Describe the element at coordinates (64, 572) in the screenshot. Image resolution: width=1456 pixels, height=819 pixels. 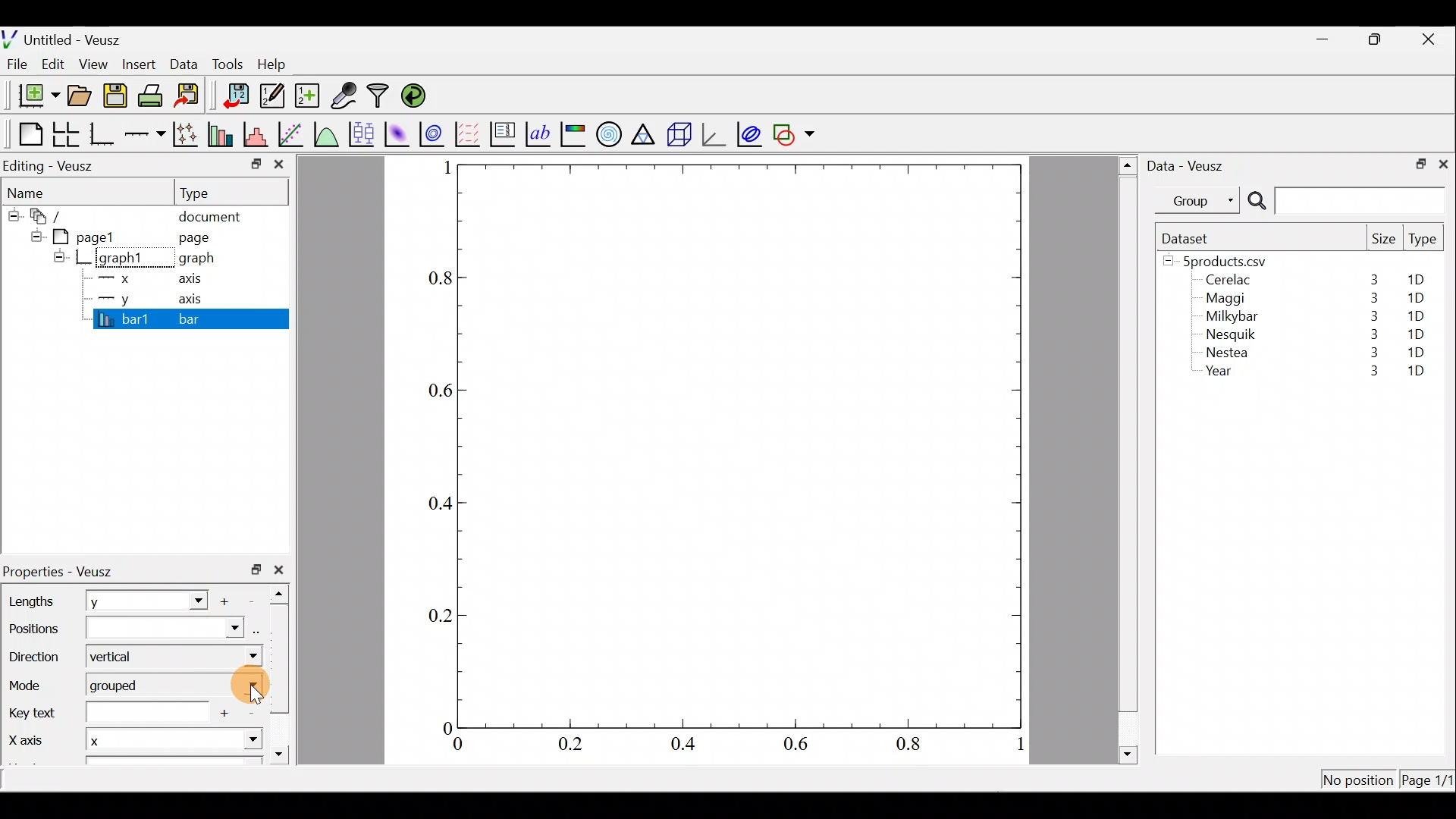
I see `Properties - Veusz` at that location.